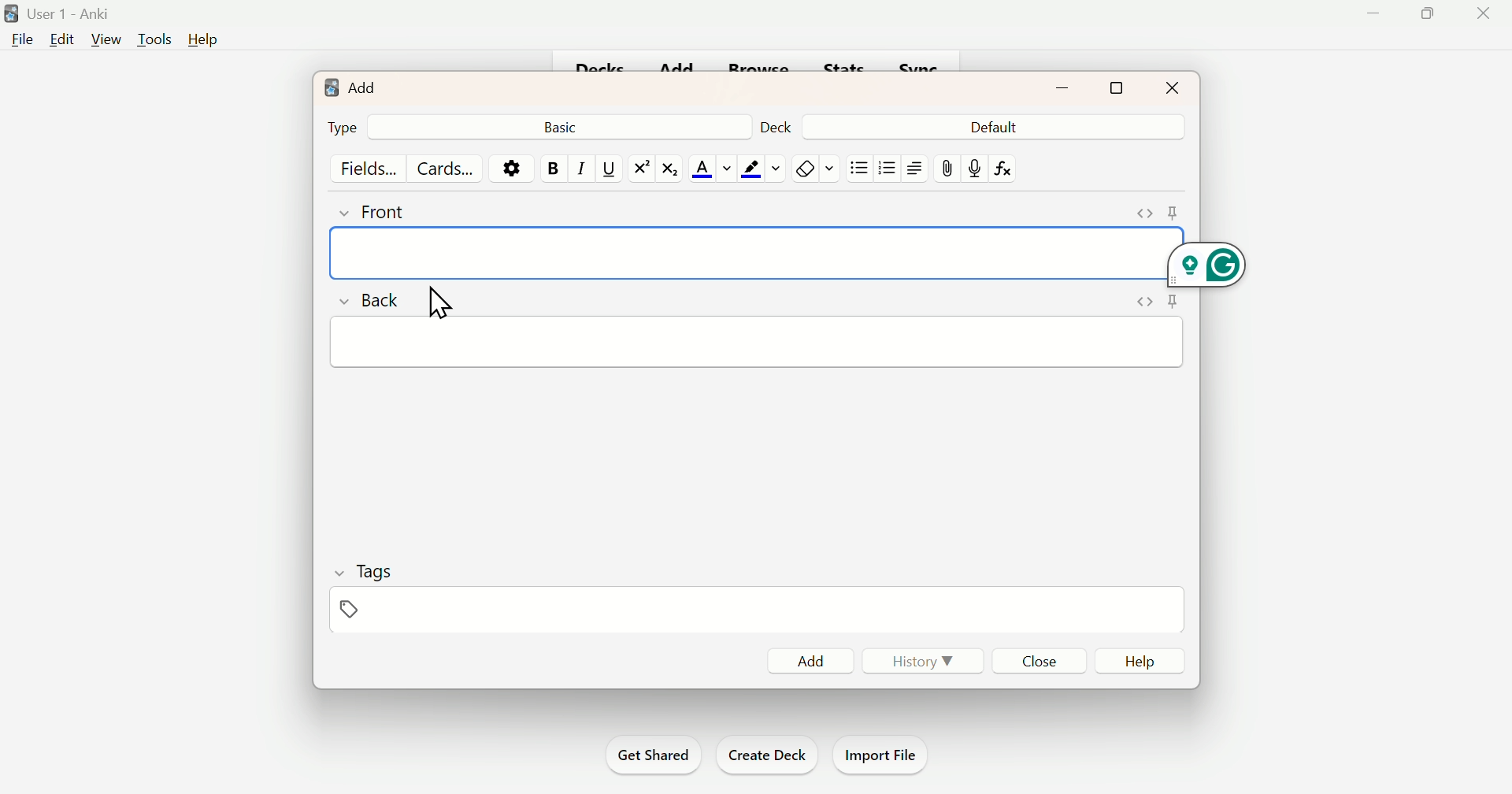  I want to click on Help, so click(203, 36).